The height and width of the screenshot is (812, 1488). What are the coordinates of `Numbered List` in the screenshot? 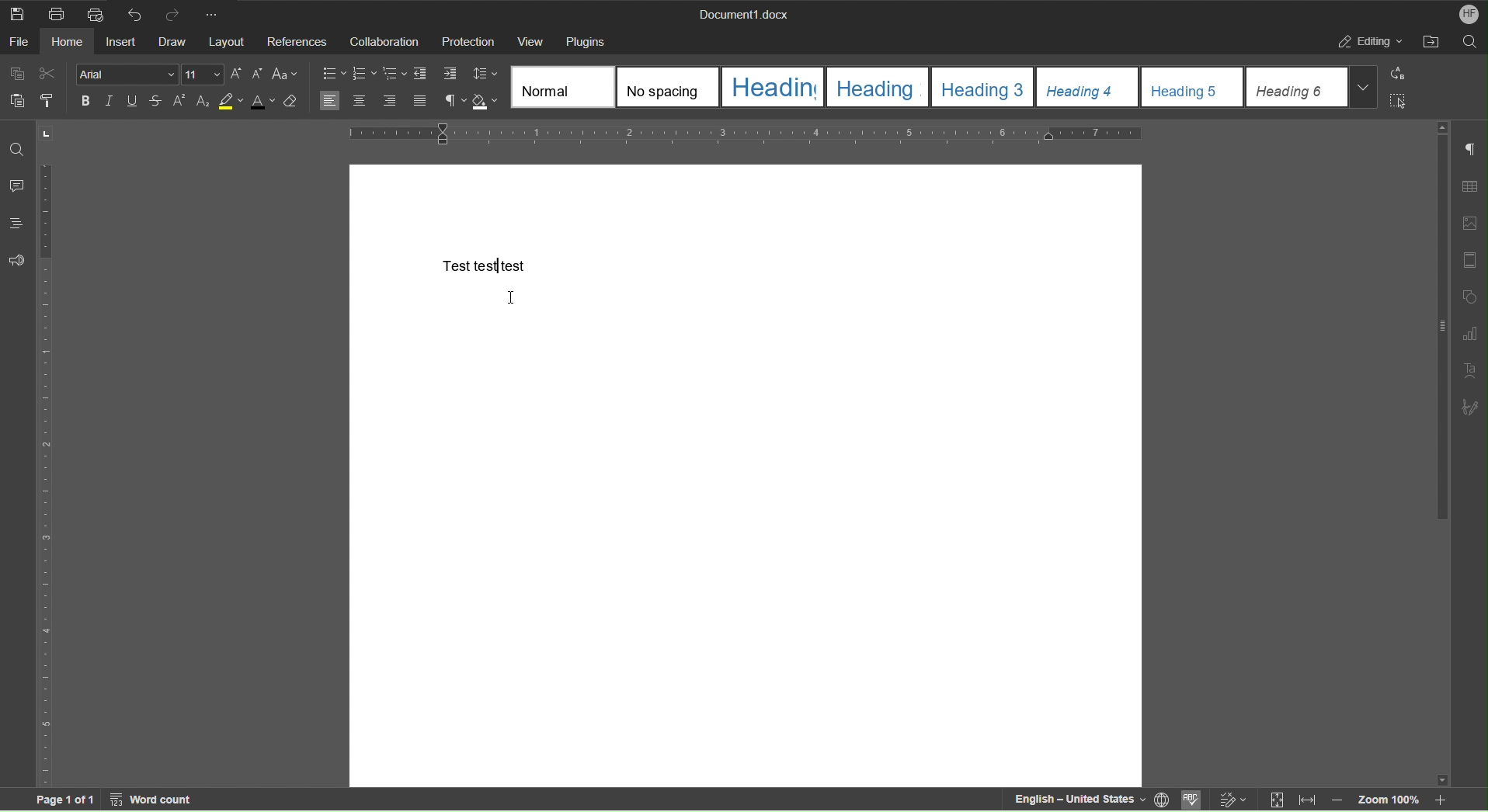 It's located at (363, 74).